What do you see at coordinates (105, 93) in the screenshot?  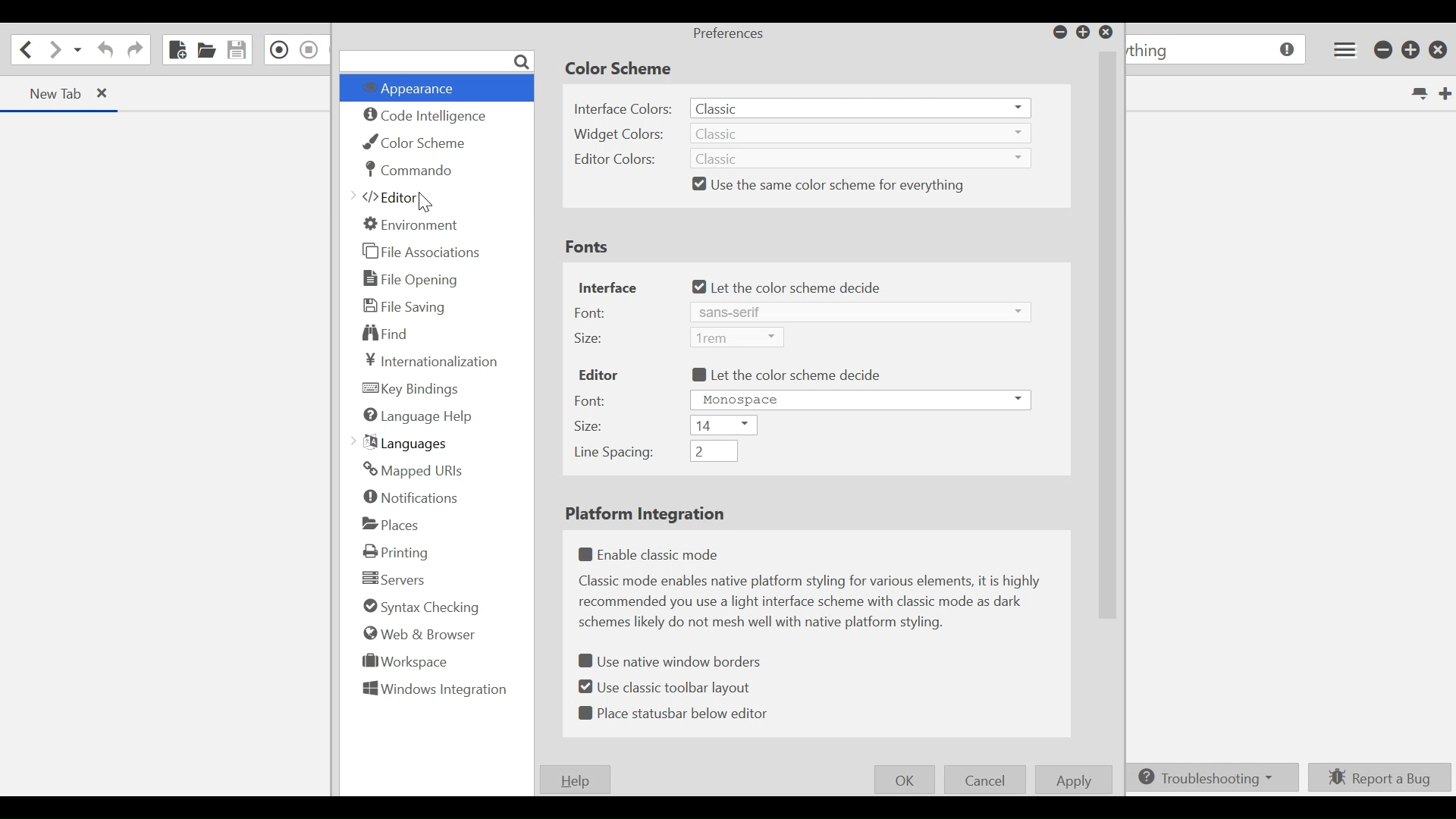 I see `close` at bounding box center [105, 93].